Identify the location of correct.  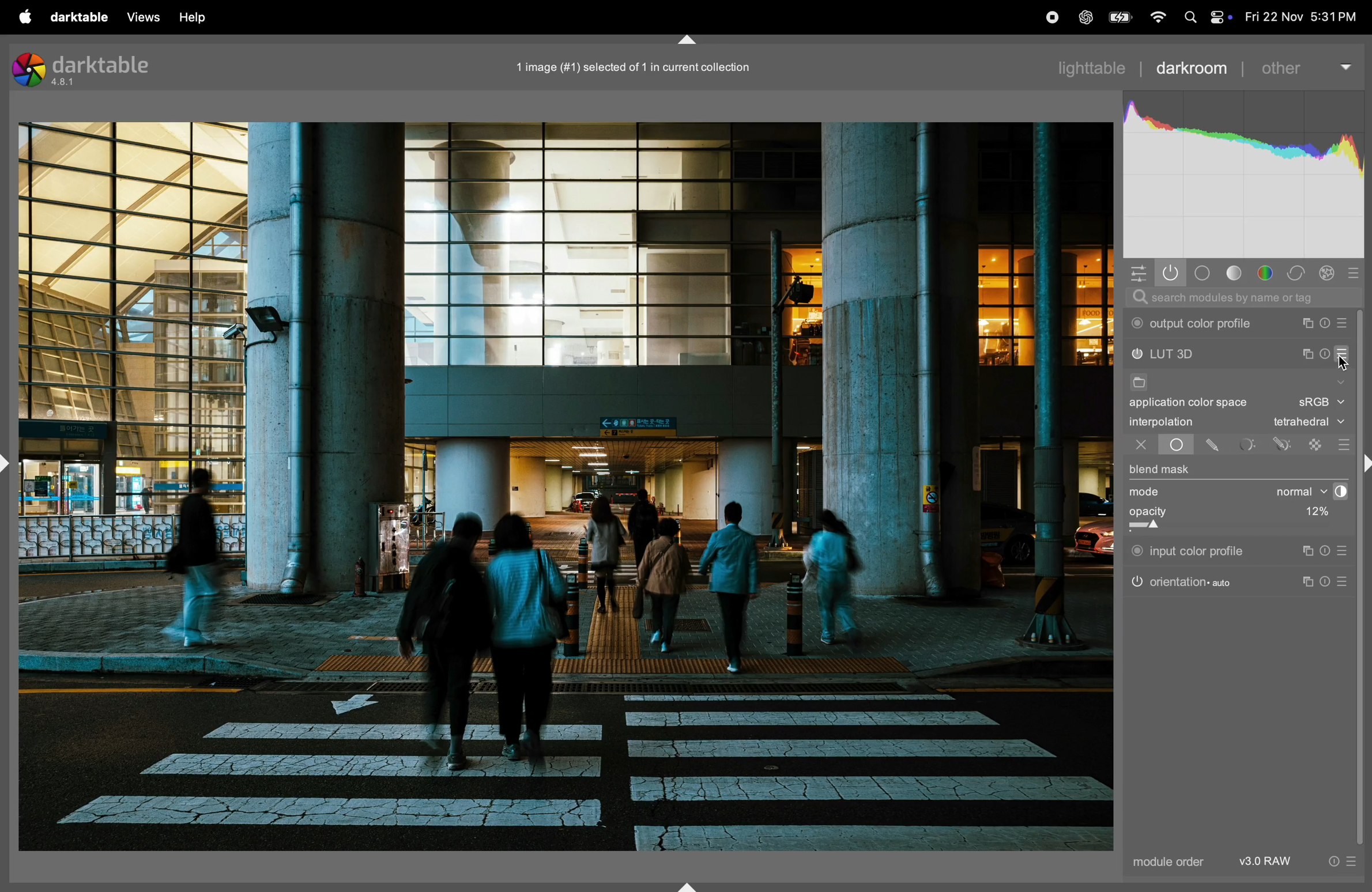
(1329, 273).